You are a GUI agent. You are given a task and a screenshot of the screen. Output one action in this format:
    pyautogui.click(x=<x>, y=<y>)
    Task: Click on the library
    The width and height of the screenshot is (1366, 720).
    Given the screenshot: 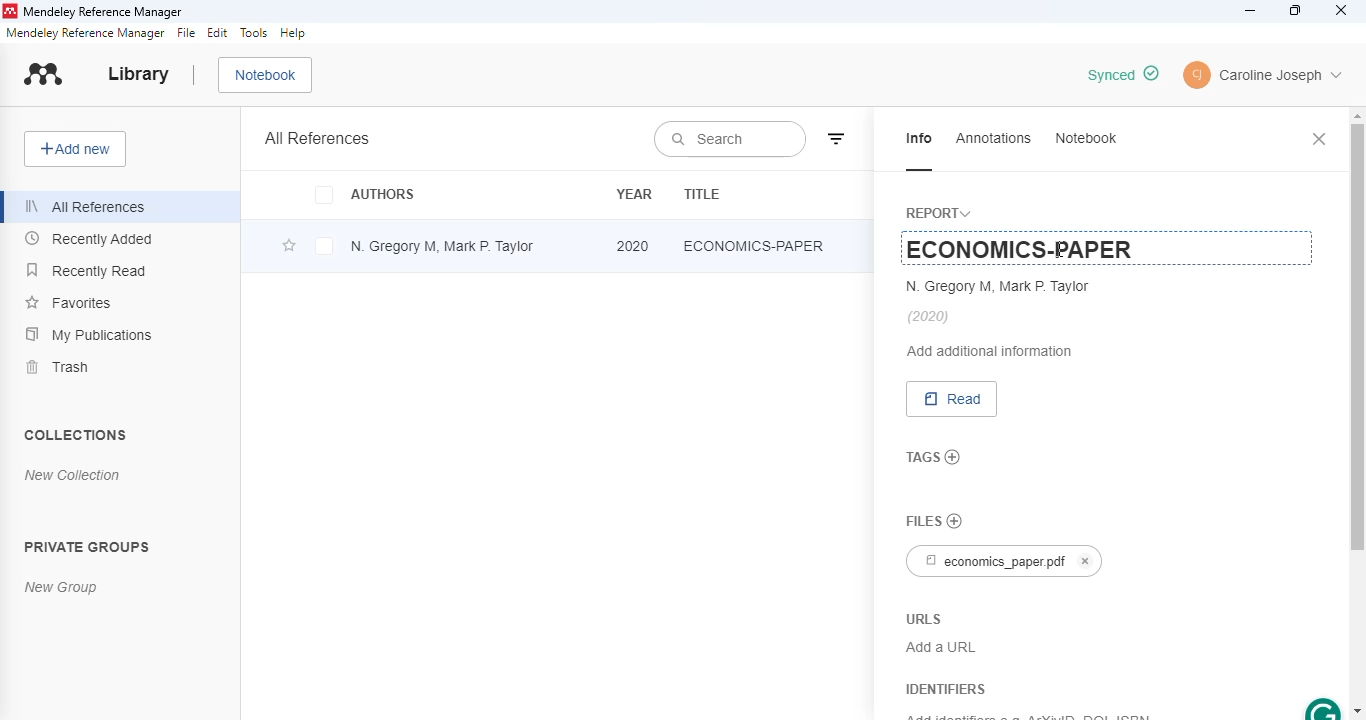 What is the action you would take?
    pyautogui.click(x=137, y=74)
    